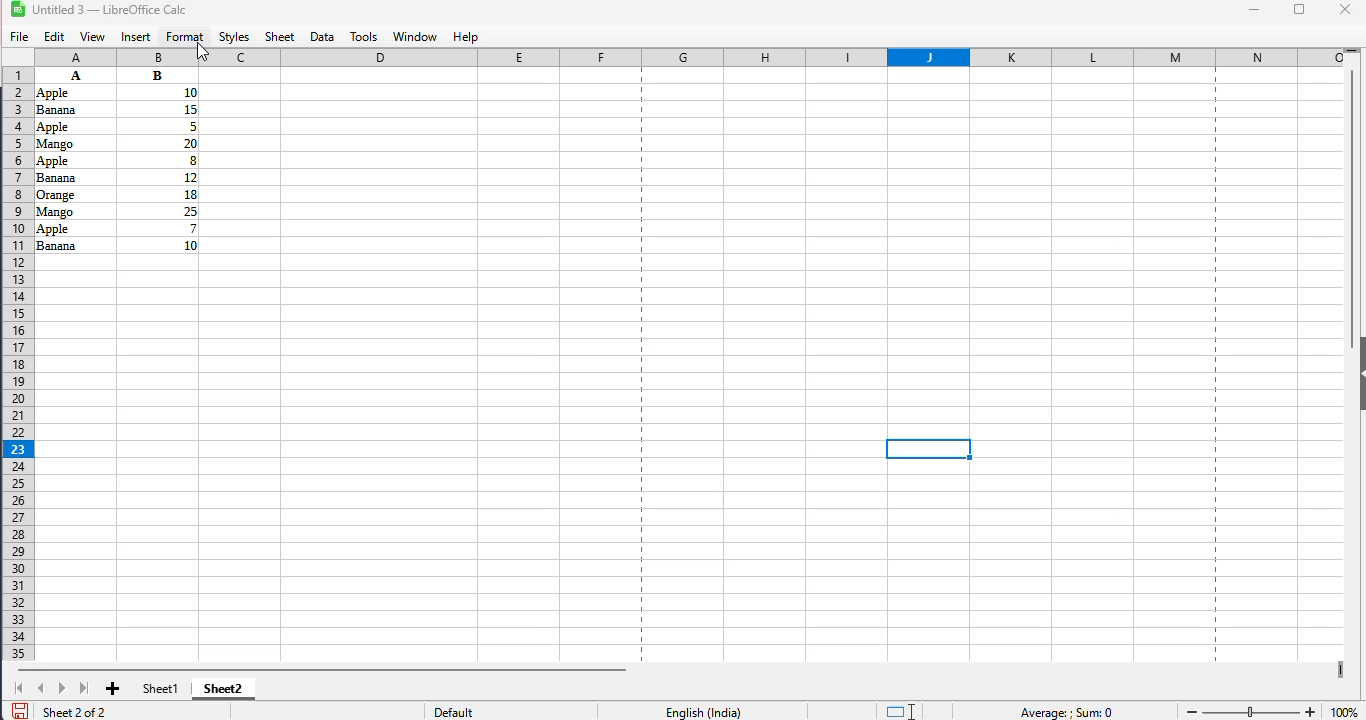 This screenshot has width=1366, height=720. Describe the element at coordinates (19, 710) in the screenshot. I see `click to save document` at that location.